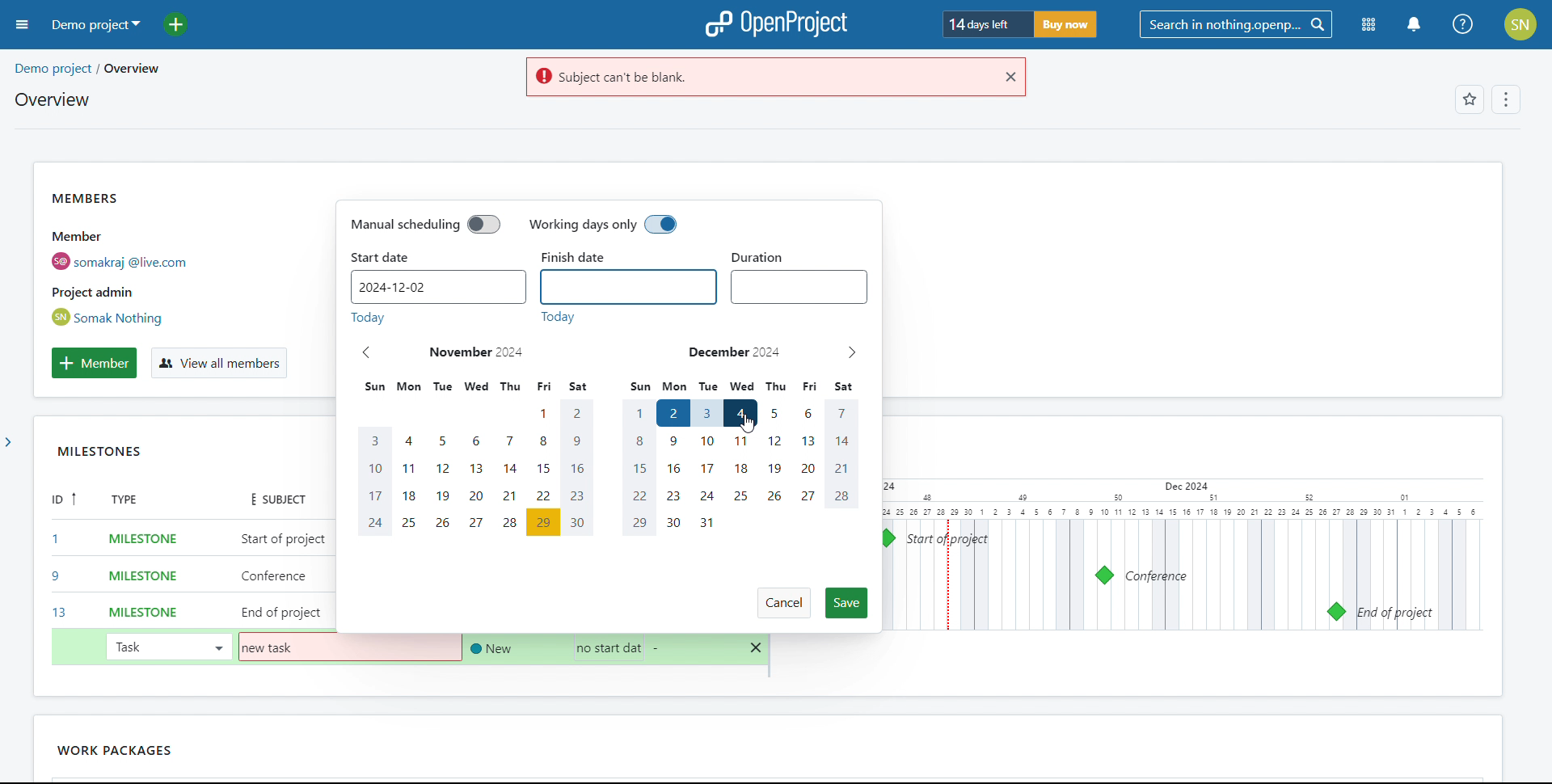 This screenshot has height=784, width=1552. Describe the element at coordinates (604, 469) in the screenshot. I see `calendar dates` at that location.